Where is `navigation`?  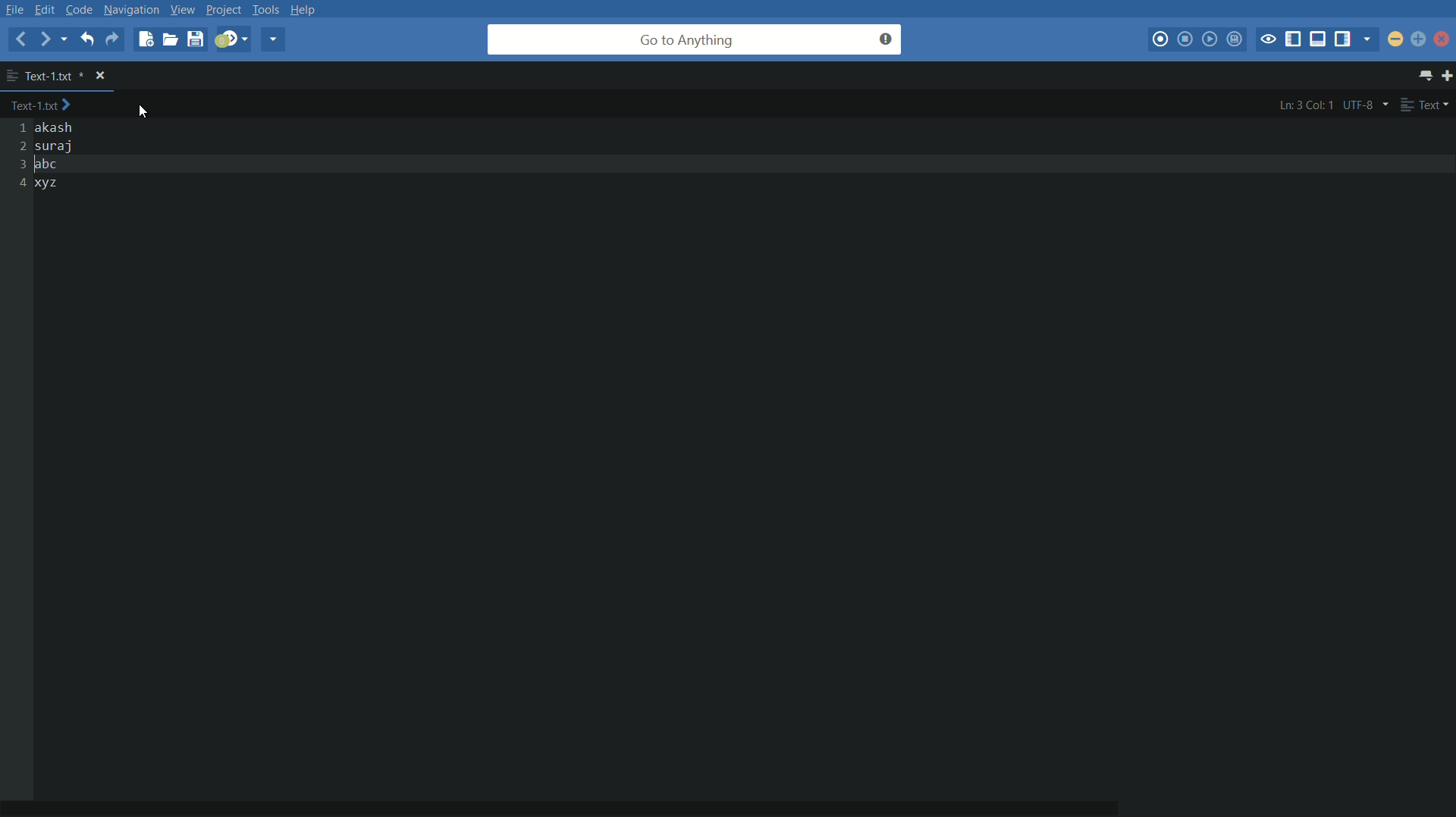
navigation is located at coordinates (131, 9).